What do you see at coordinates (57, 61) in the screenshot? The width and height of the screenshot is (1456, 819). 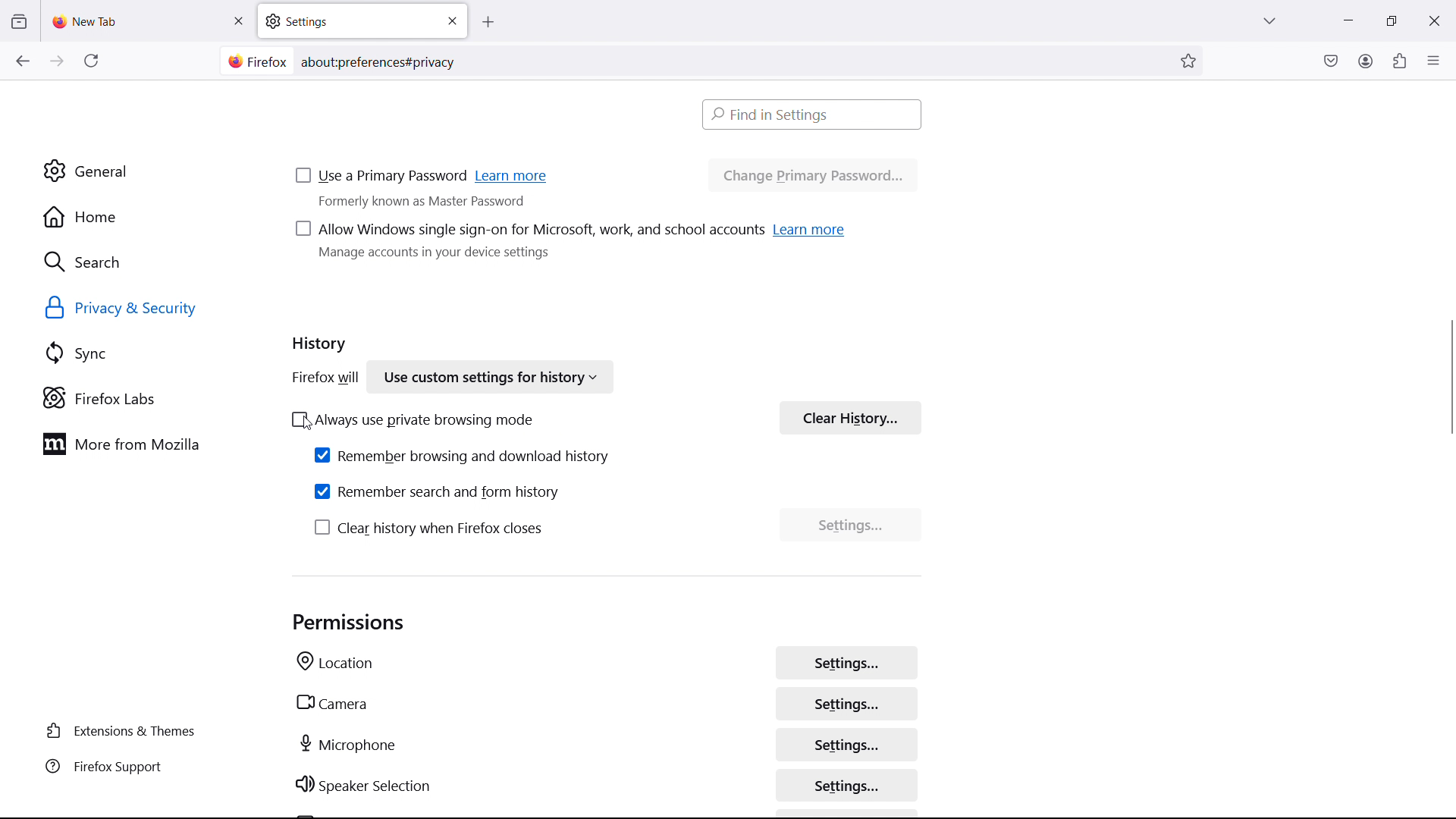 I see `go forward one page, right click or pull down to show history` at bounding box center [57, 61].